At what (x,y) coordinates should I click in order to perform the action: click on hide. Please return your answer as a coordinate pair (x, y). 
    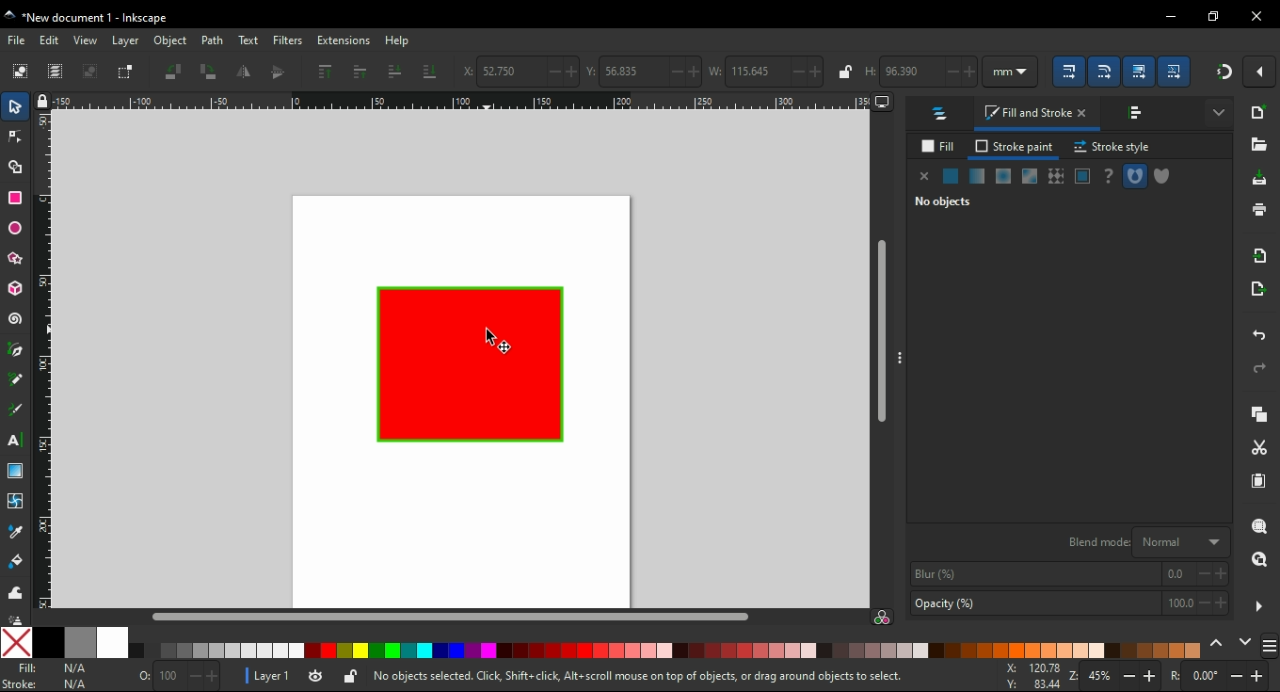
    Looking at the image, I should click on (899, 354).